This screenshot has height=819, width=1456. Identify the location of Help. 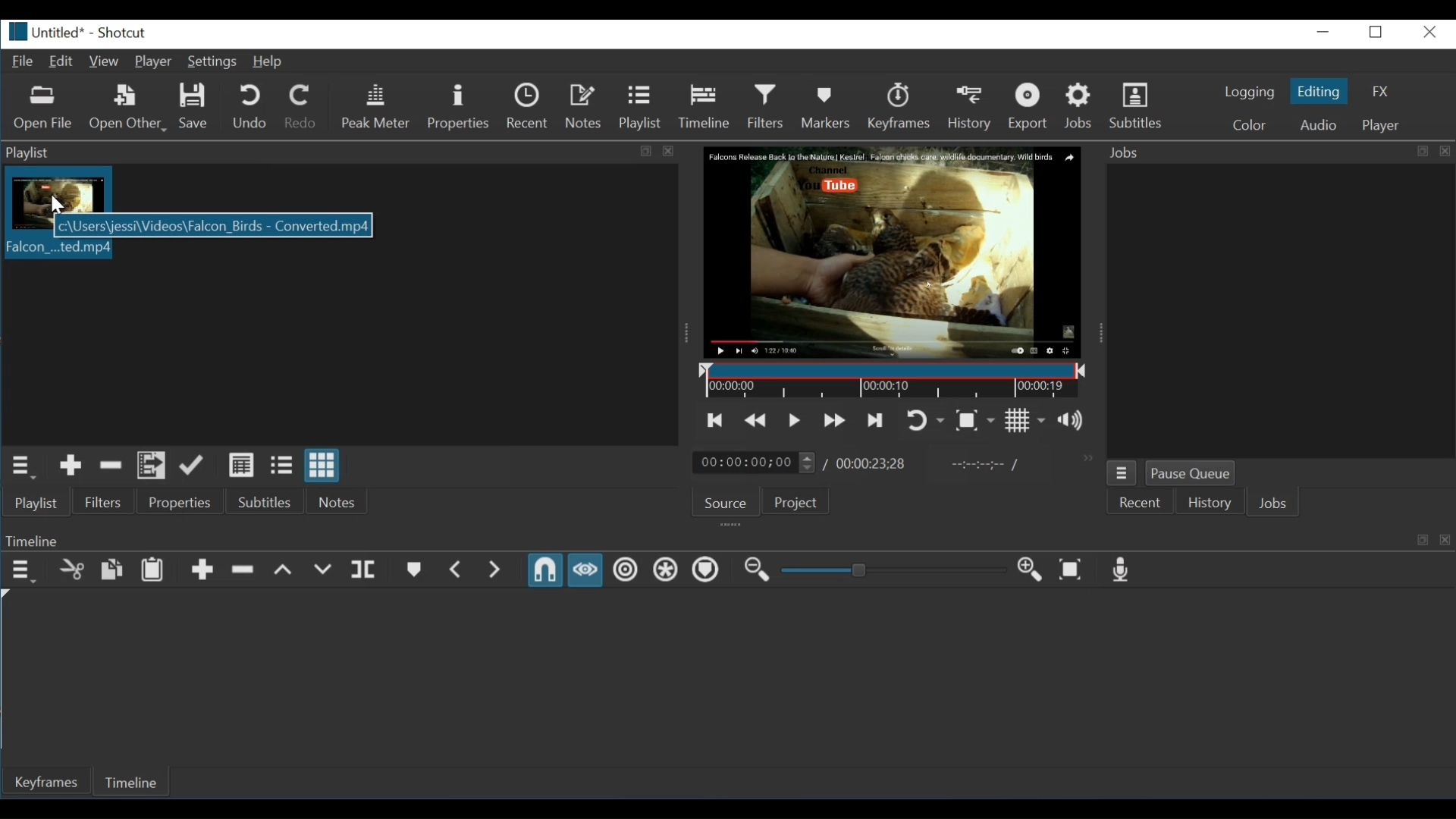
(269, 63).